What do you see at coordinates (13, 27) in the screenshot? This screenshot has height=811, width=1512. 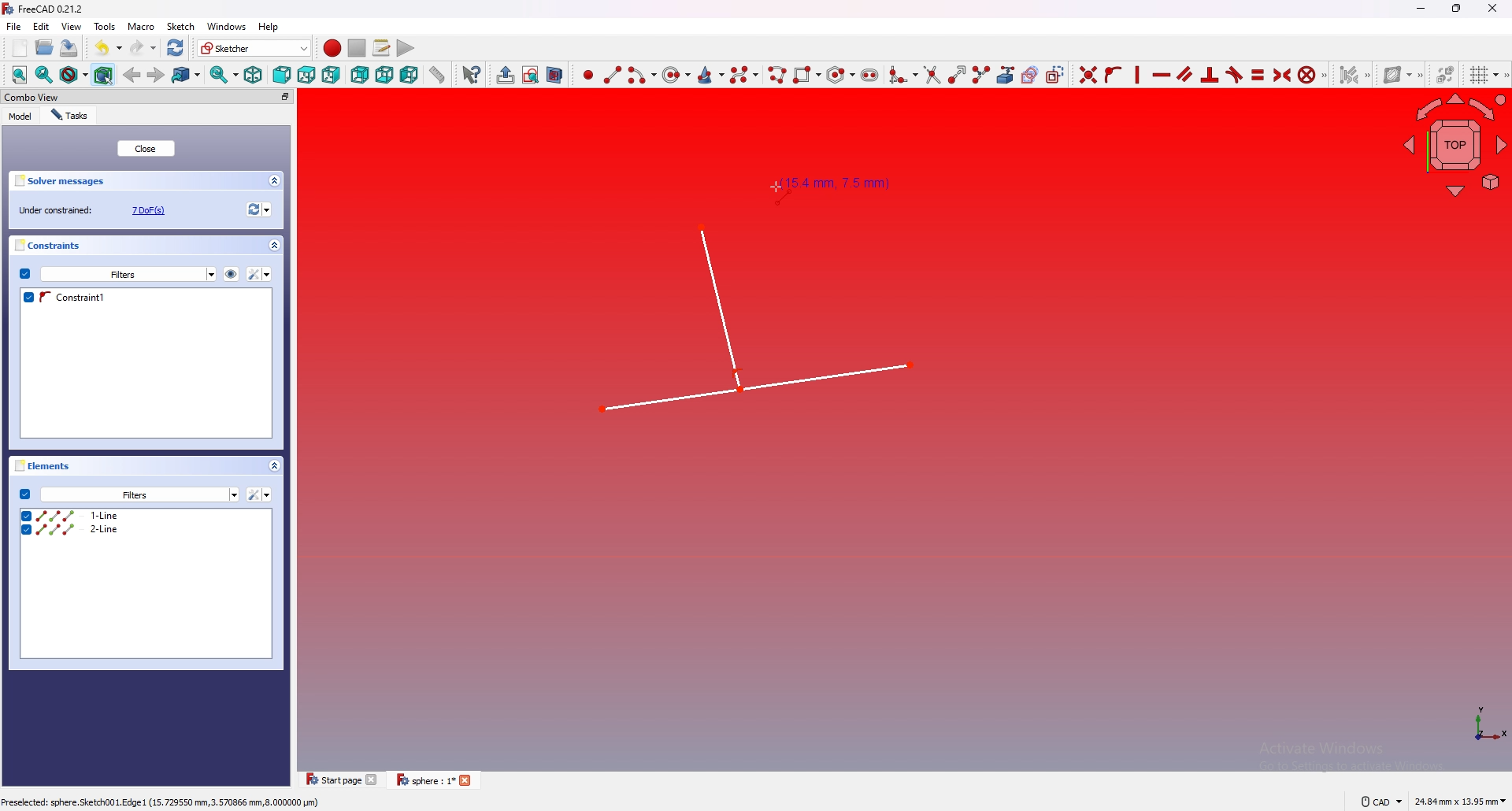 I see `File` at bounding box center [13, 27].